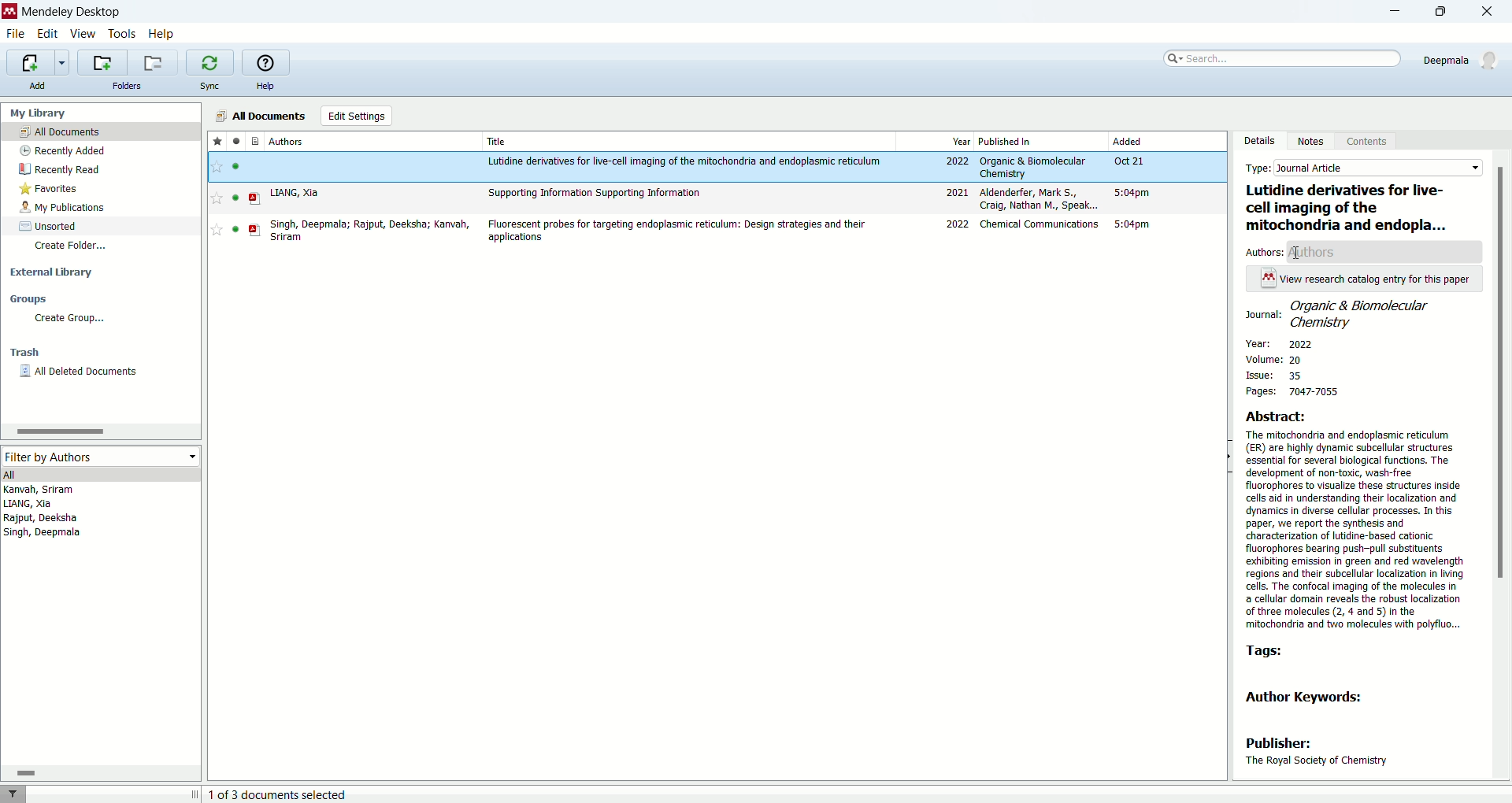 This screenshot has width=1512, height=803. I want to click on read/unread, so click(239, 166).